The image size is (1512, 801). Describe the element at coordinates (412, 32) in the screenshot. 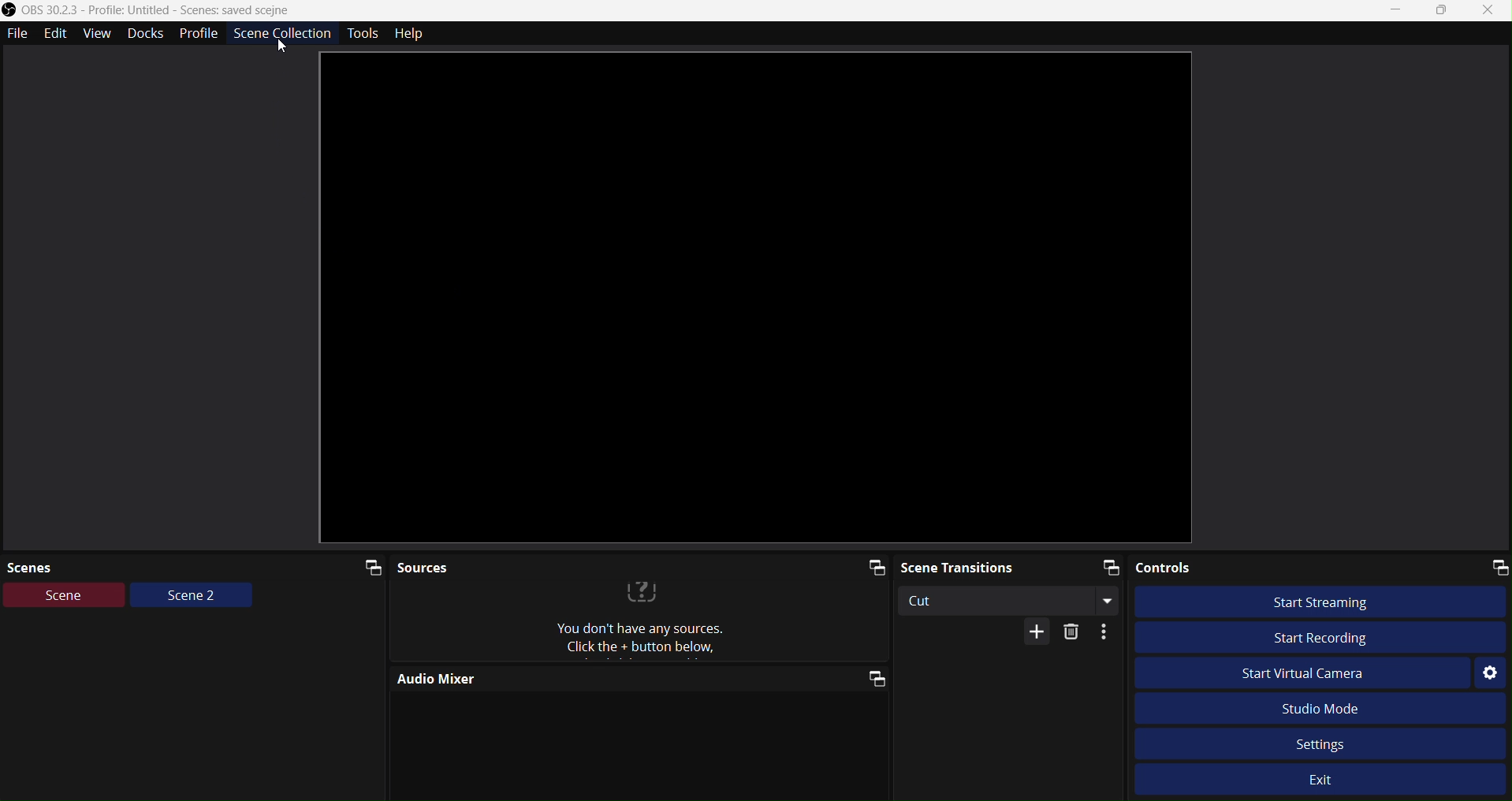

I see `Help` at that location.